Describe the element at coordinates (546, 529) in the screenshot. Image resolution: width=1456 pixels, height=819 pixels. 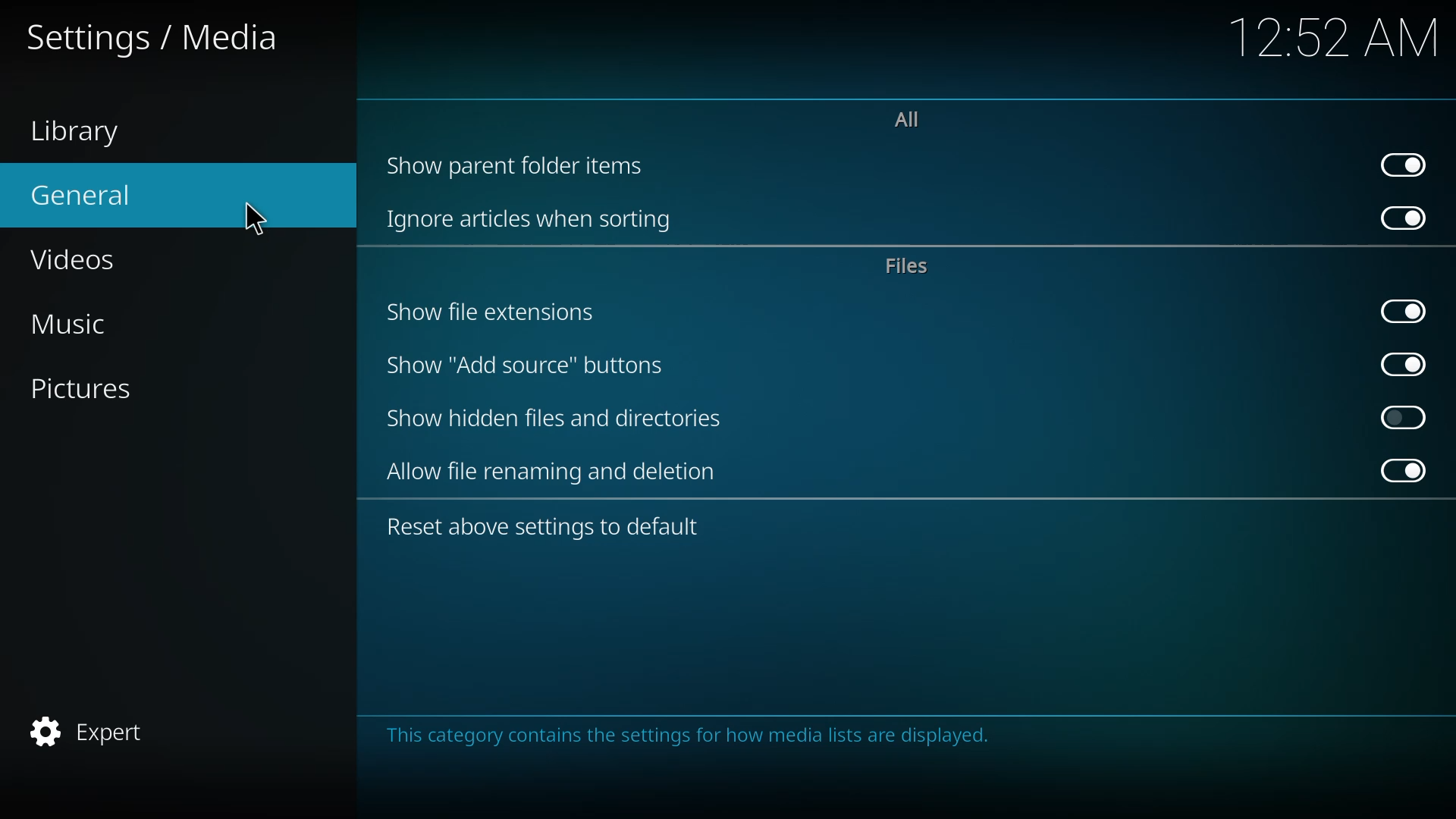
I see `reset above settings to default` at that location.